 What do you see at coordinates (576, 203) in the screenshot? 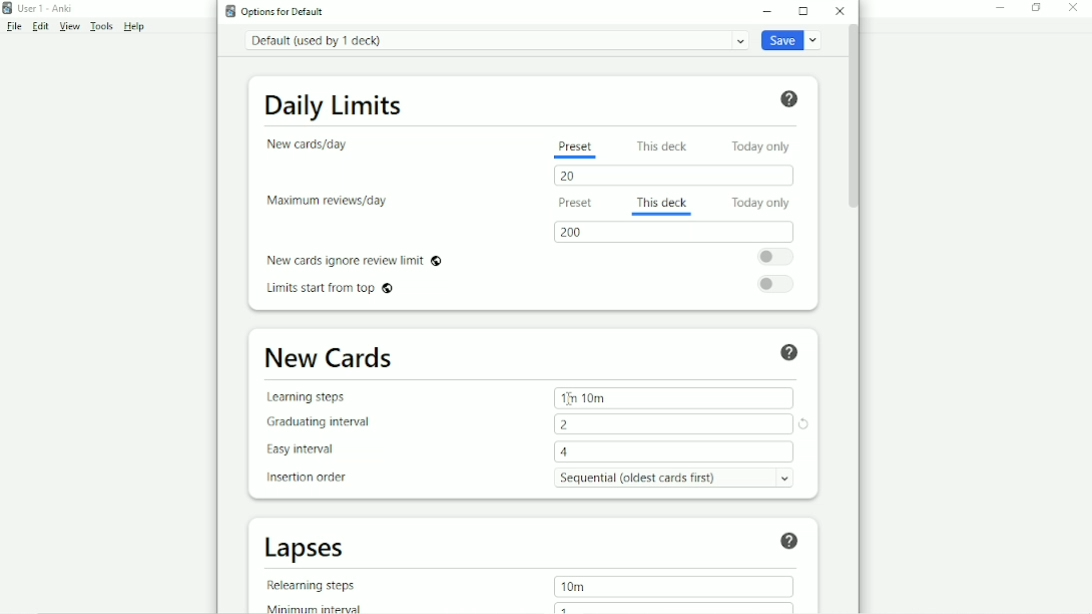
I see `Preset` at bounding box center [576, 203].